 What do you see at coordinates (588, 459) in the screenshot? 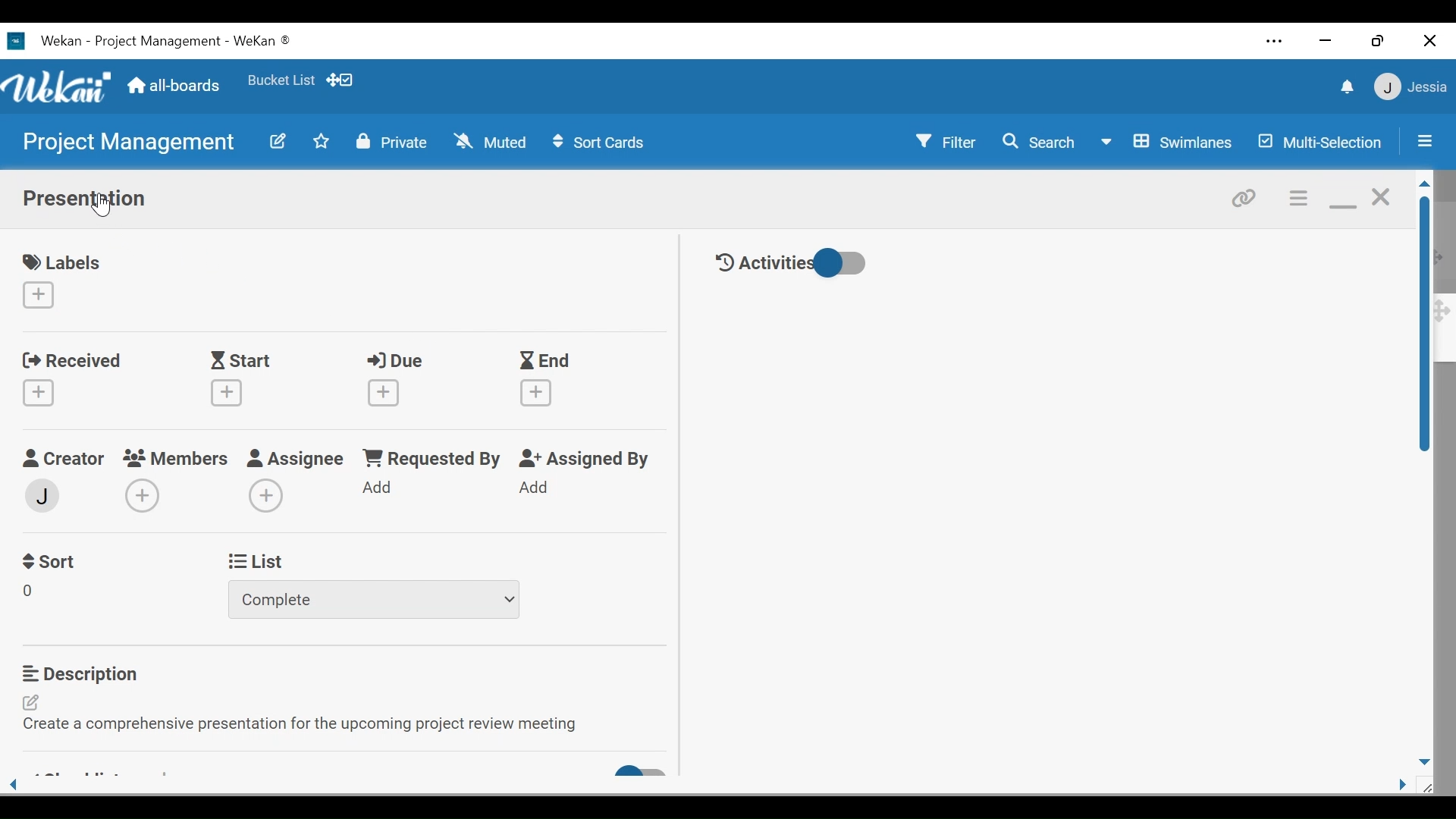
I see `Assigned By` at bounding box center [588, 459].